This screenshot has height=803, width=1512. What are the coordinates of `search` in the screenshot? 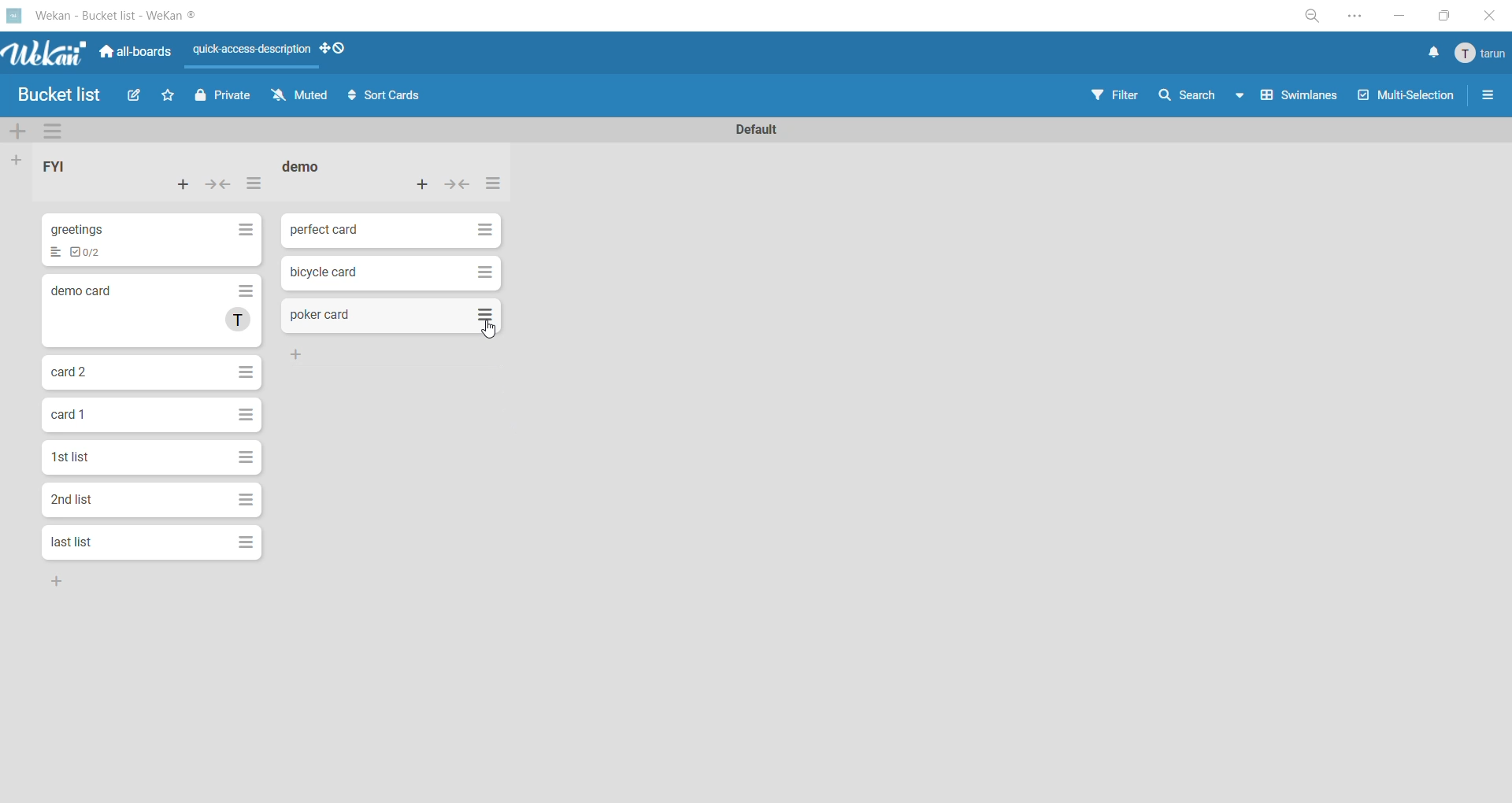 It's located at (1206, 94).